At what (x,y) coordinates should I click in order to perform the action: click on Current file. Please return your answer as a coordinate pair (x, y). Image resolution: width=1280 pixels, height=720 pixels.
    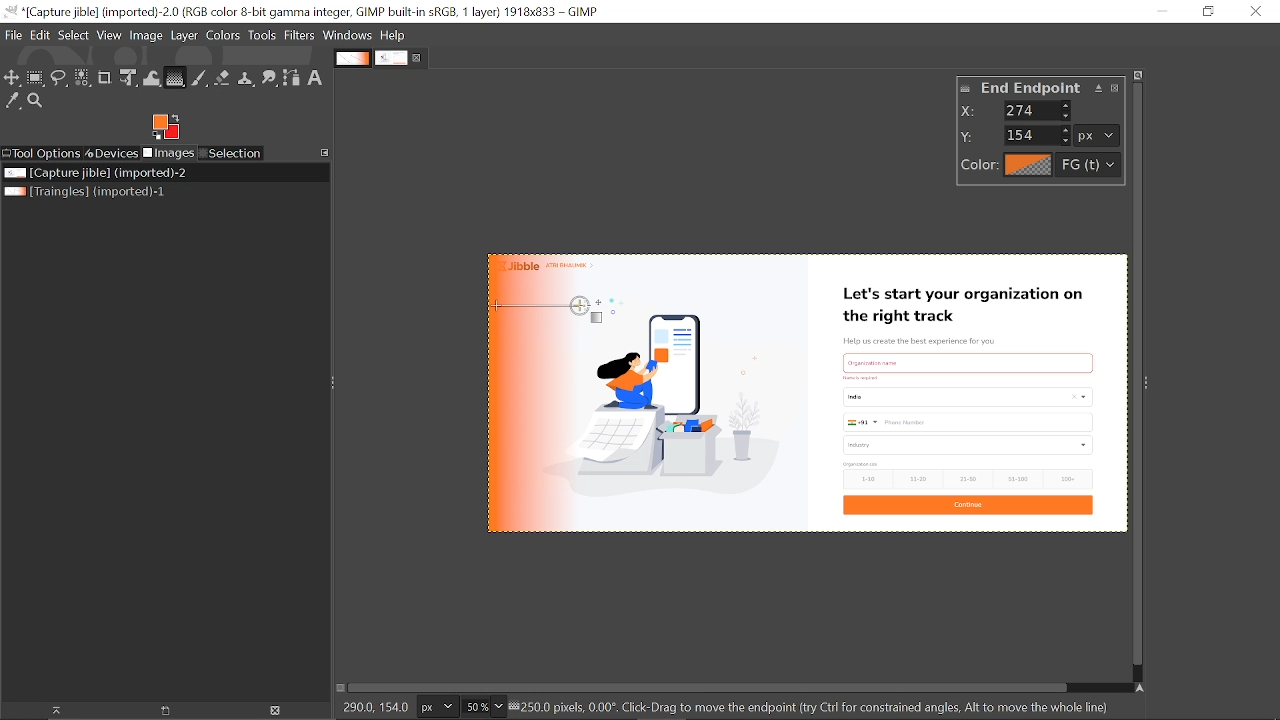
    Looking at the image, I should click on (96, 173).